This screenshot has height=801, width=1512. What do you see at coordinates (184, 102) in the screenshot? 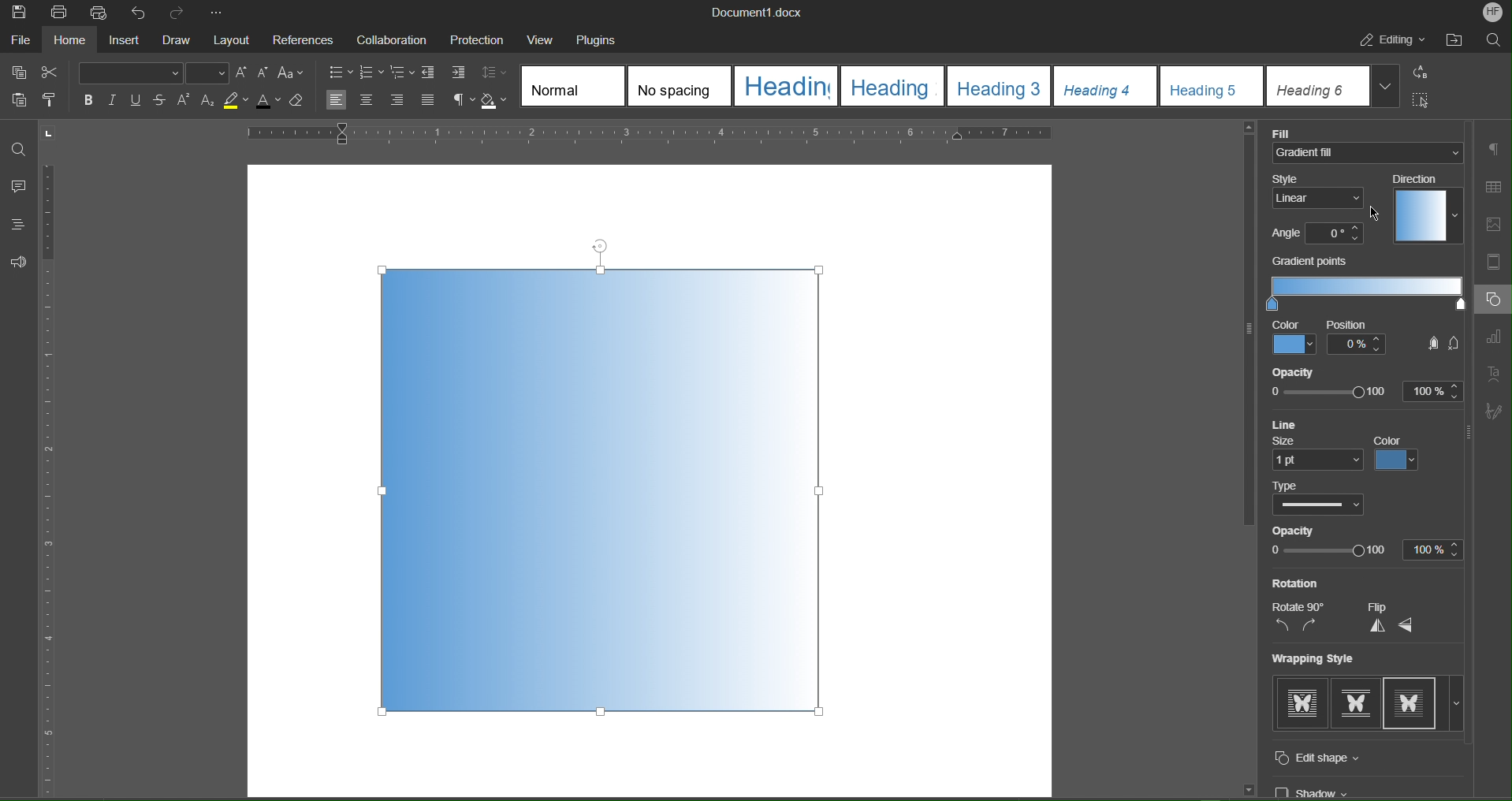
I see `Superscript` at bounding box center [184, 102].